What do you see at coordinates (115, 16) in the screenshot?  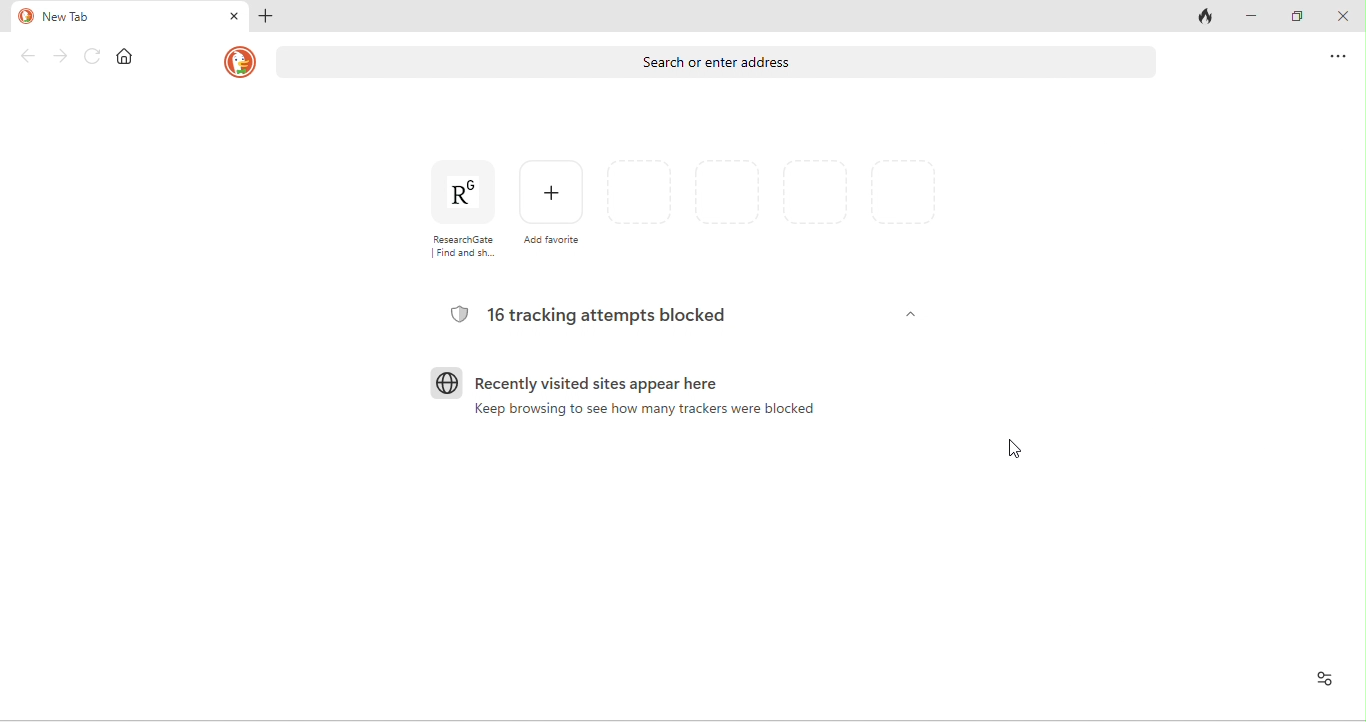 I see `new tab` at bounding box center [115, 16].